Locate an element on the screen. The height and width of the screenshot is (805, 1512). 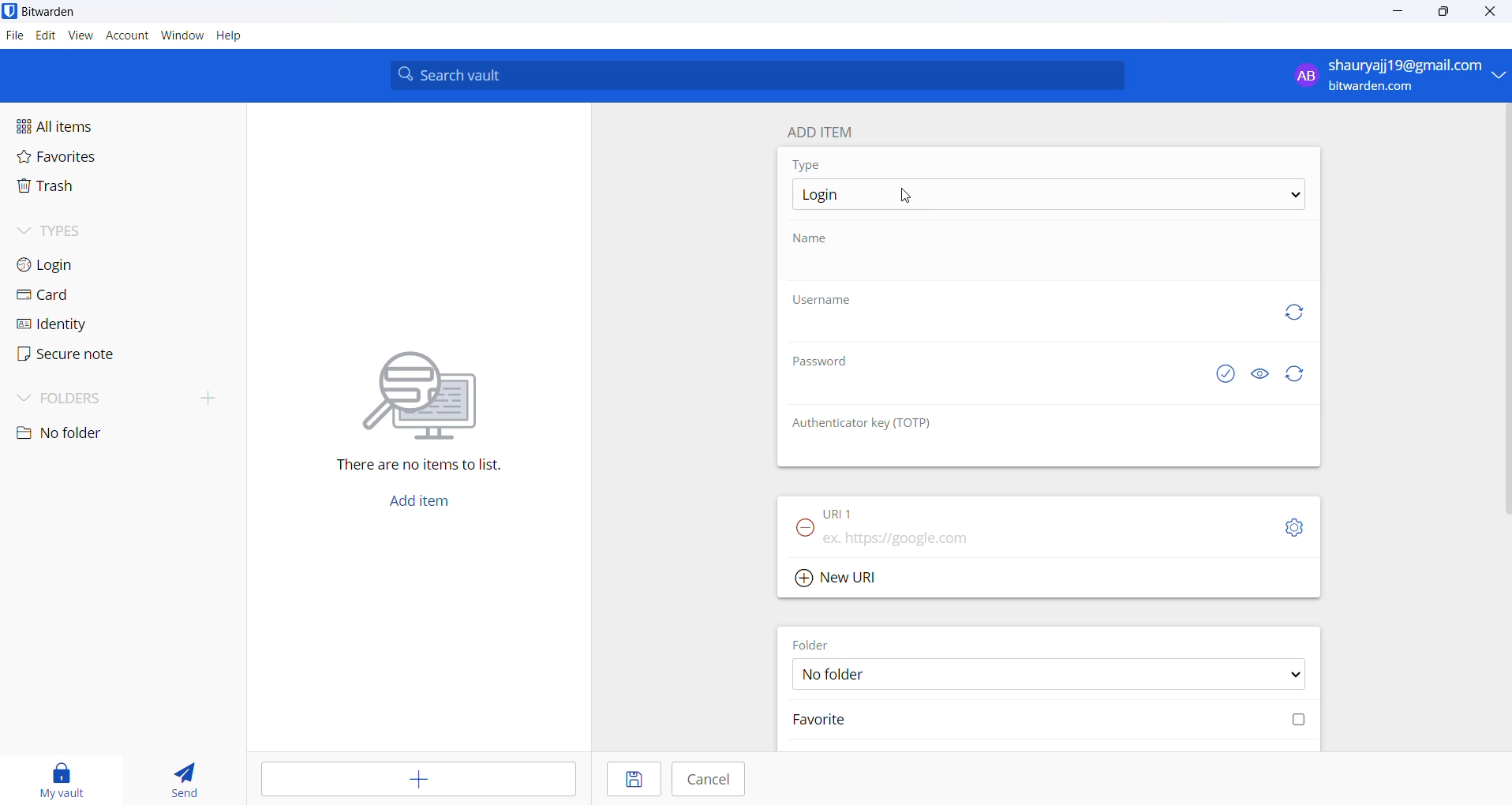
username heading is located at coordinates (826, 301).